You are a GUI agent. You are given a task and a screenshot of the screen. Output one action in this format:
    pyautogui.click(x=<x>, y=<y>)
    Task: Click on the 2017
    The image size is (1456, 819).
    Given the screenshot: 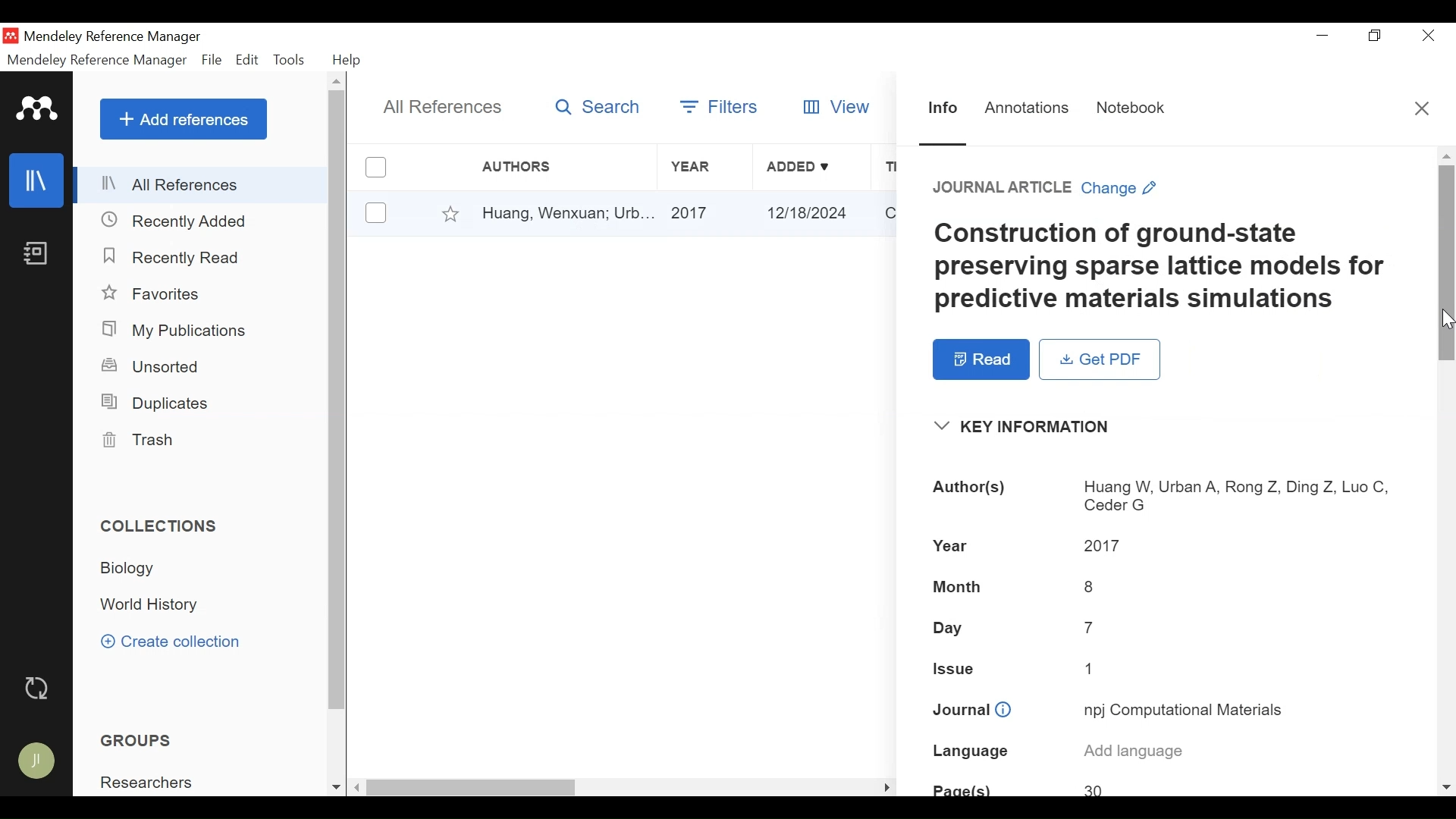 What is the action you would take?
    pyautogui.click(x=1101, y=544)
    